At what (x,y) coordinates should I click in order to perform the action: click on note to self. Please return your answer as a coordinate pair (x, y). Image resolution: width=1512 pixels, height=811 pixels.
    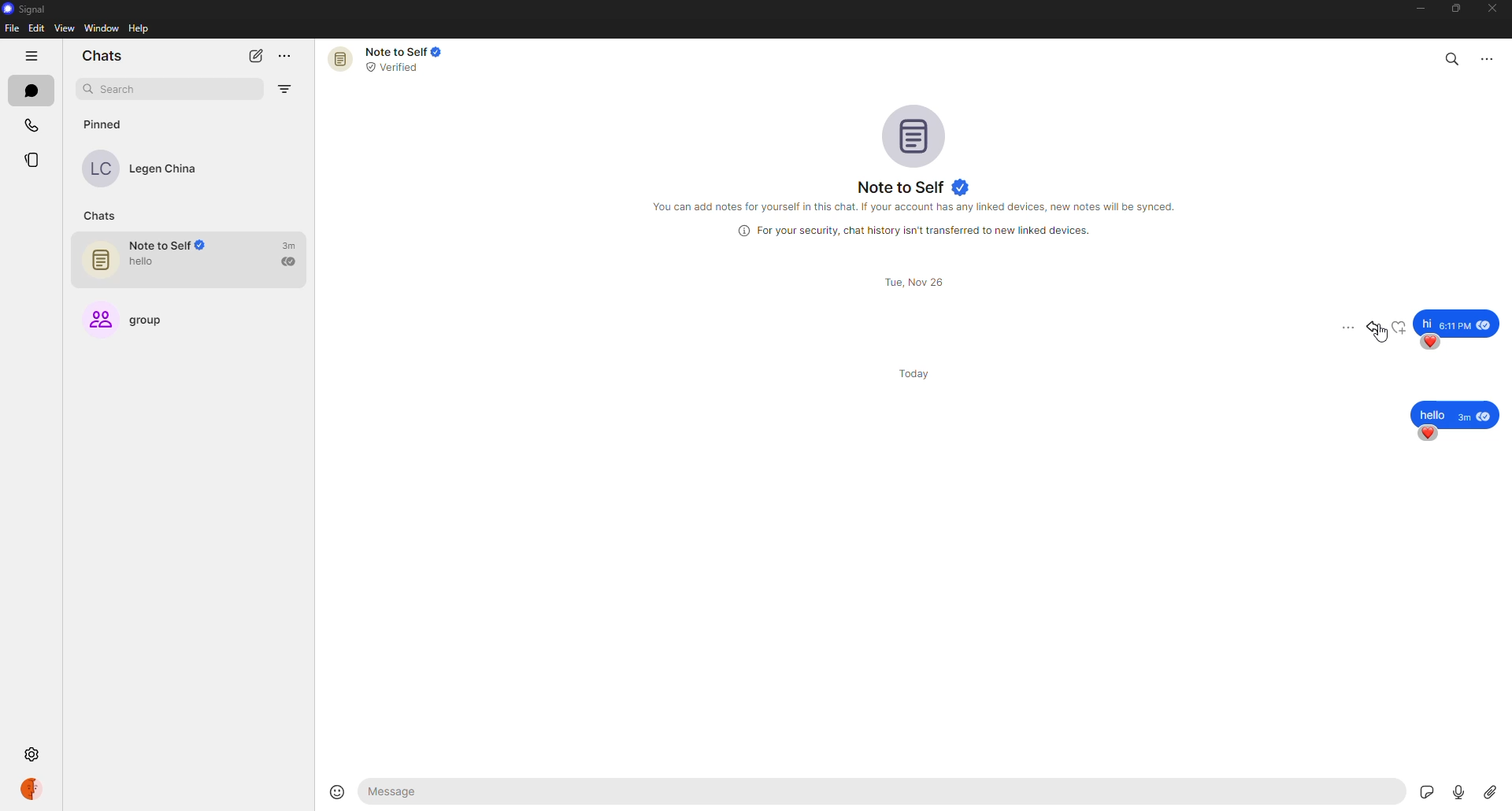
    Looking at the image, I should click on (196, 261).